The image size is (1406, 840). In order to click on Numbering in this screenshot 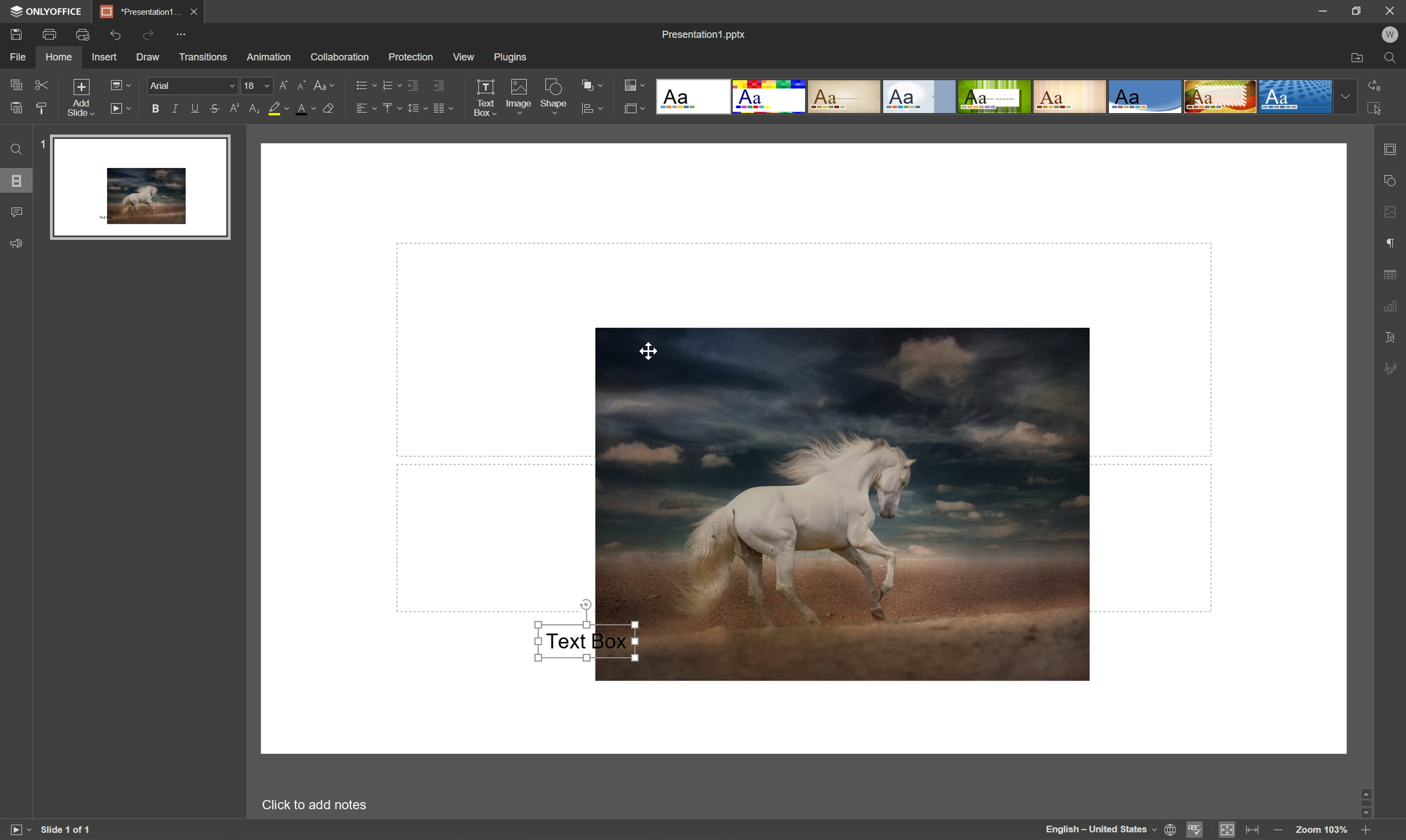, I will do `click(391, 83)`.